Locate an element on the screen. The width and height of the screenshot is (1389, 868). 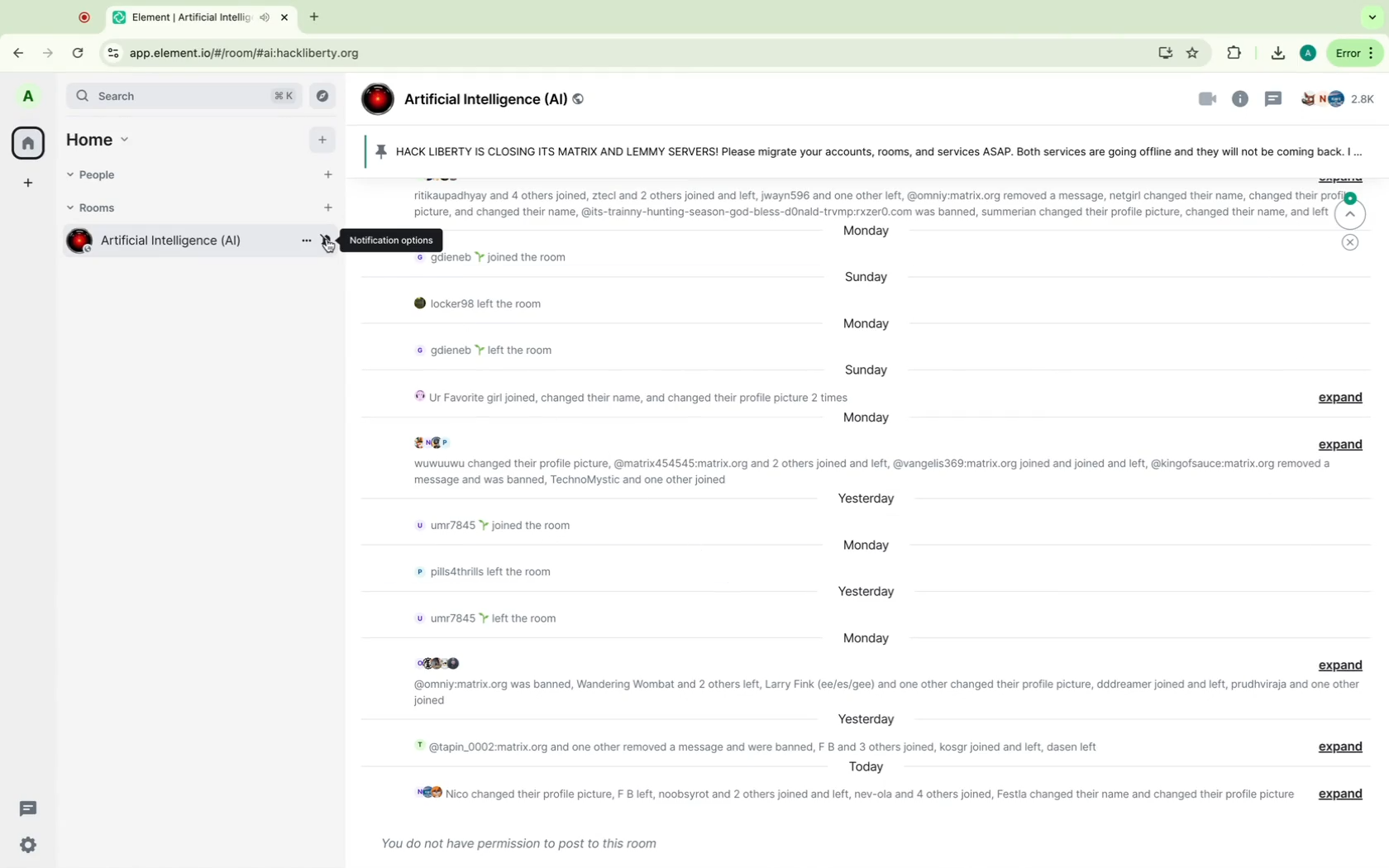
home is located at coordinates (27, 141).